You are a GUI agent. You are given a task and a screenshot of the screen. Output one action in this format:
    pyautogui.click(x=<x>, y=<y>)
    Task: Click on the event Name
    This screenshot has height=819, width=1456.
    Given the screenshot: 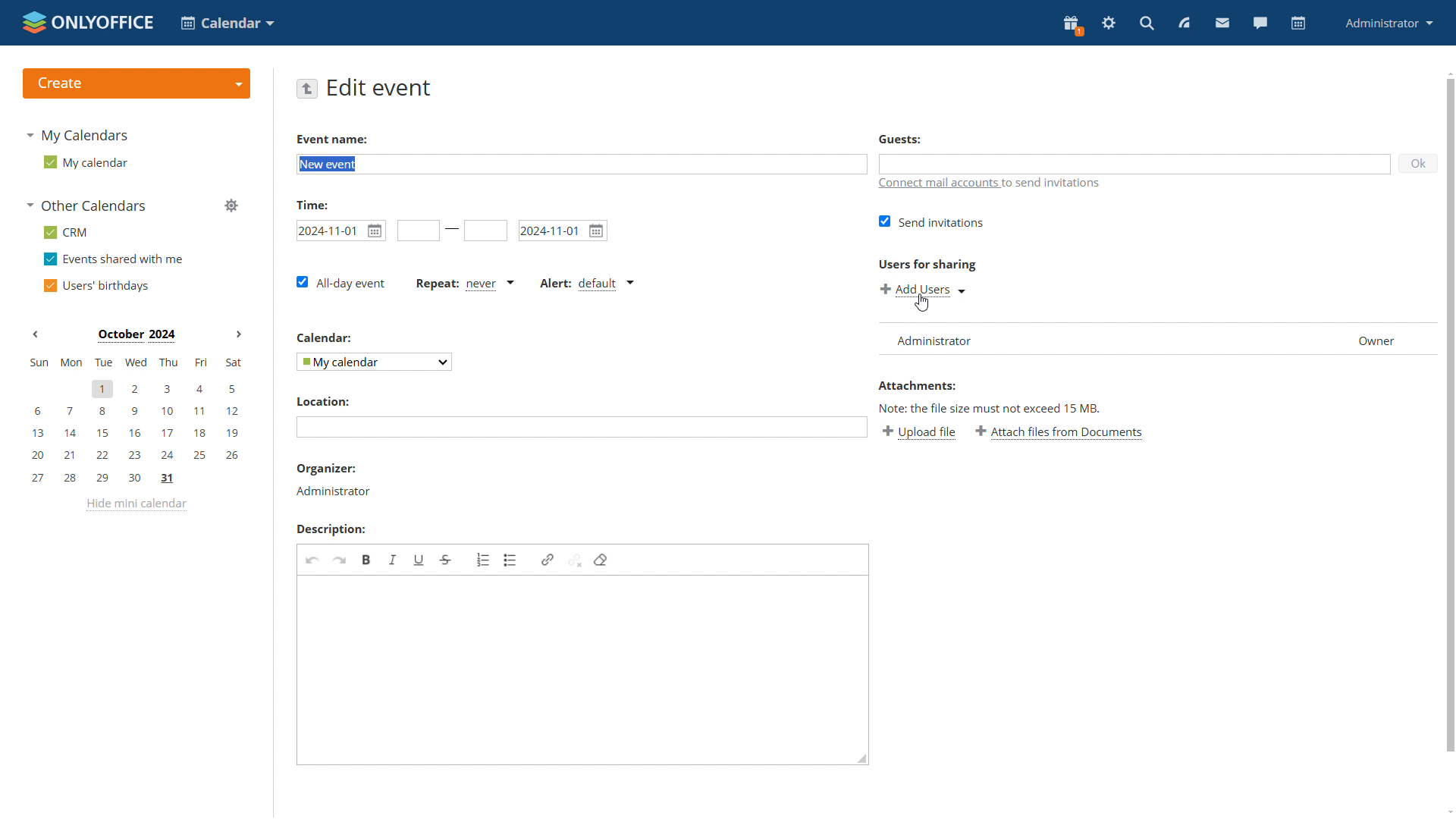 What is the action you would take?
    pyautogui.click(x=334, y=140)
    